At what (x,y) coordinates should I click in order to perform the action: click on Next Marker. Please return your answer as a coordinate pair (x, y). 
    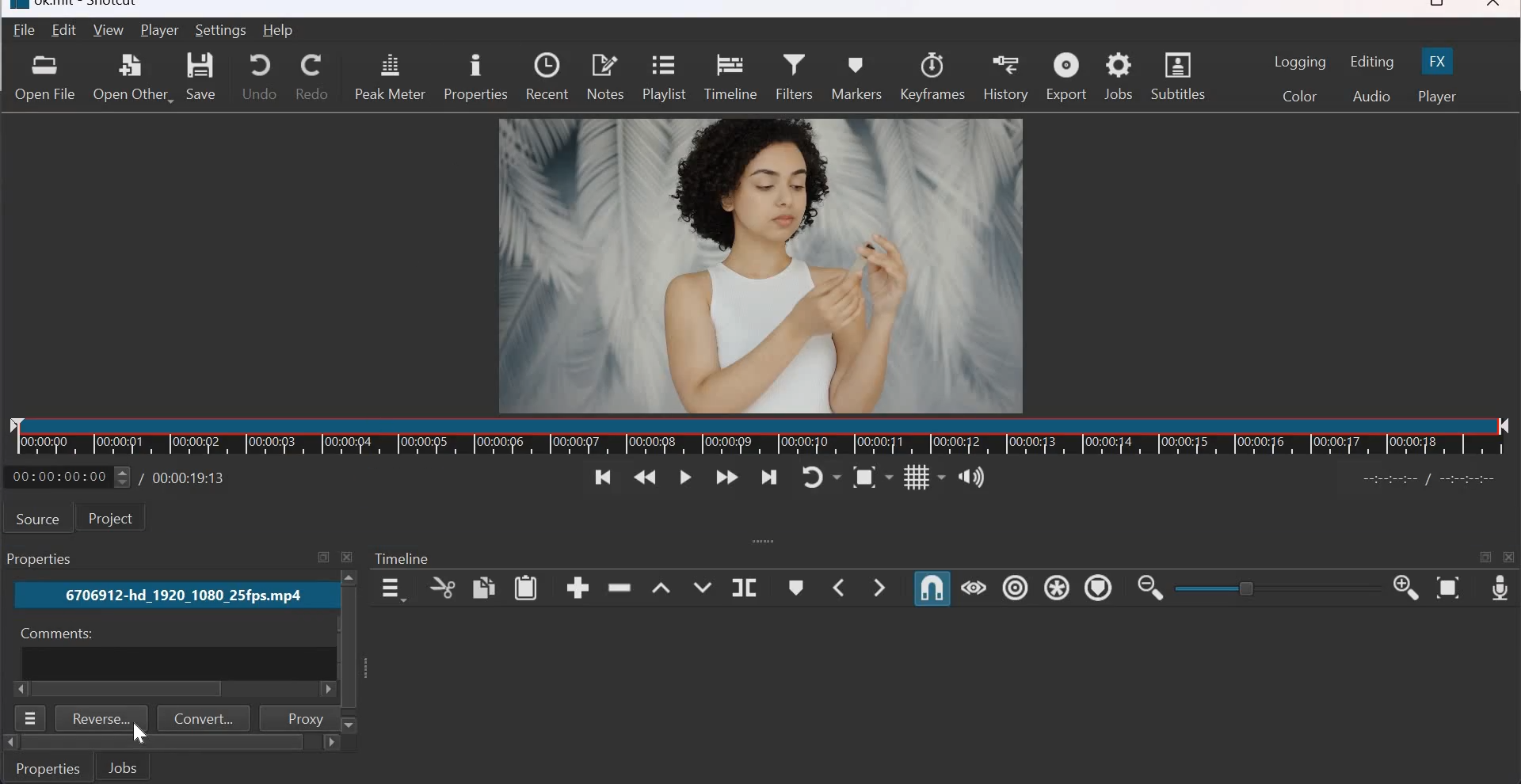
    Looking at the image, I should click on (882, 586).